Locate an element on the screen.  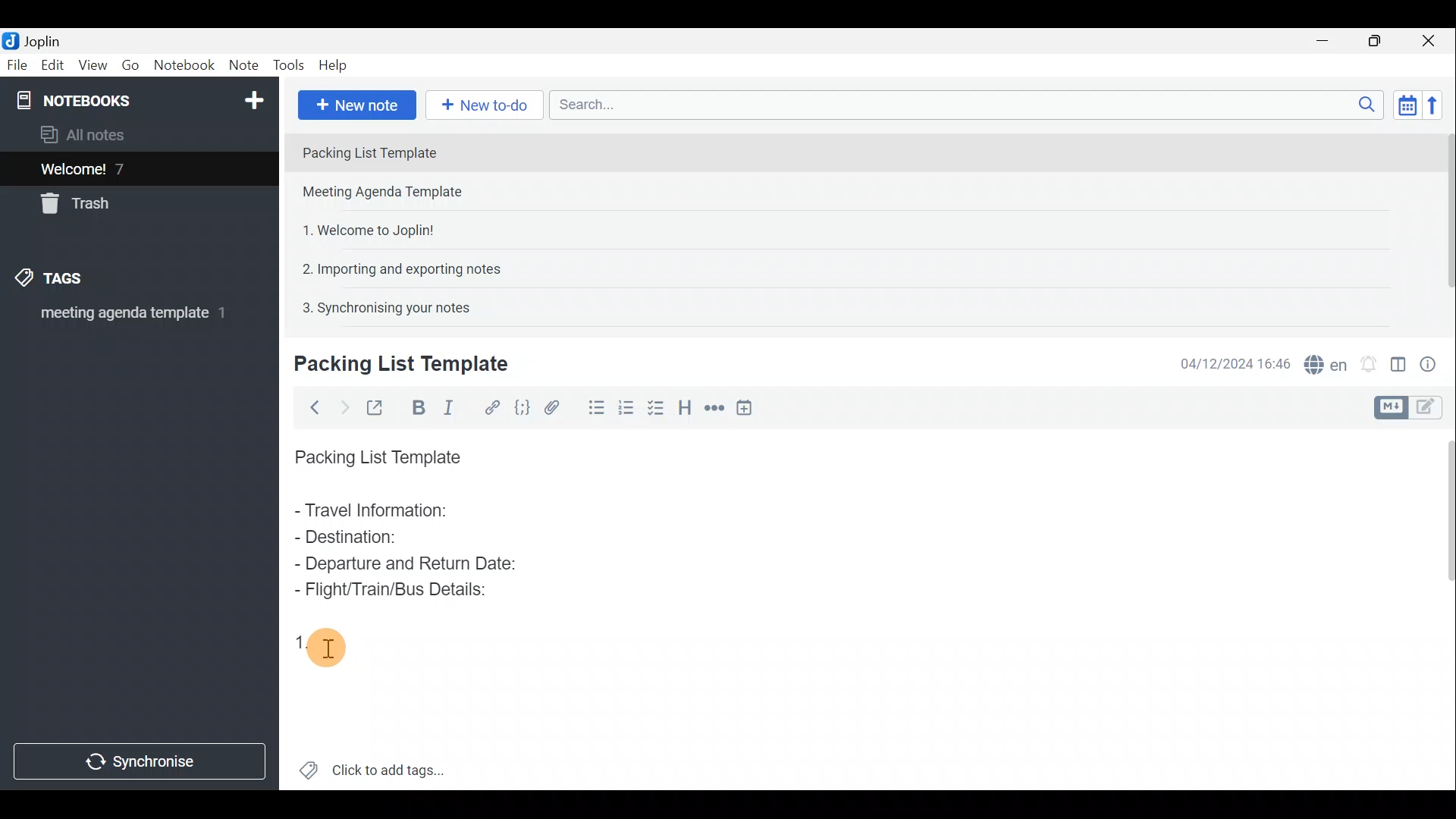
Reverse sort order is located at coordinates (1438, 104).